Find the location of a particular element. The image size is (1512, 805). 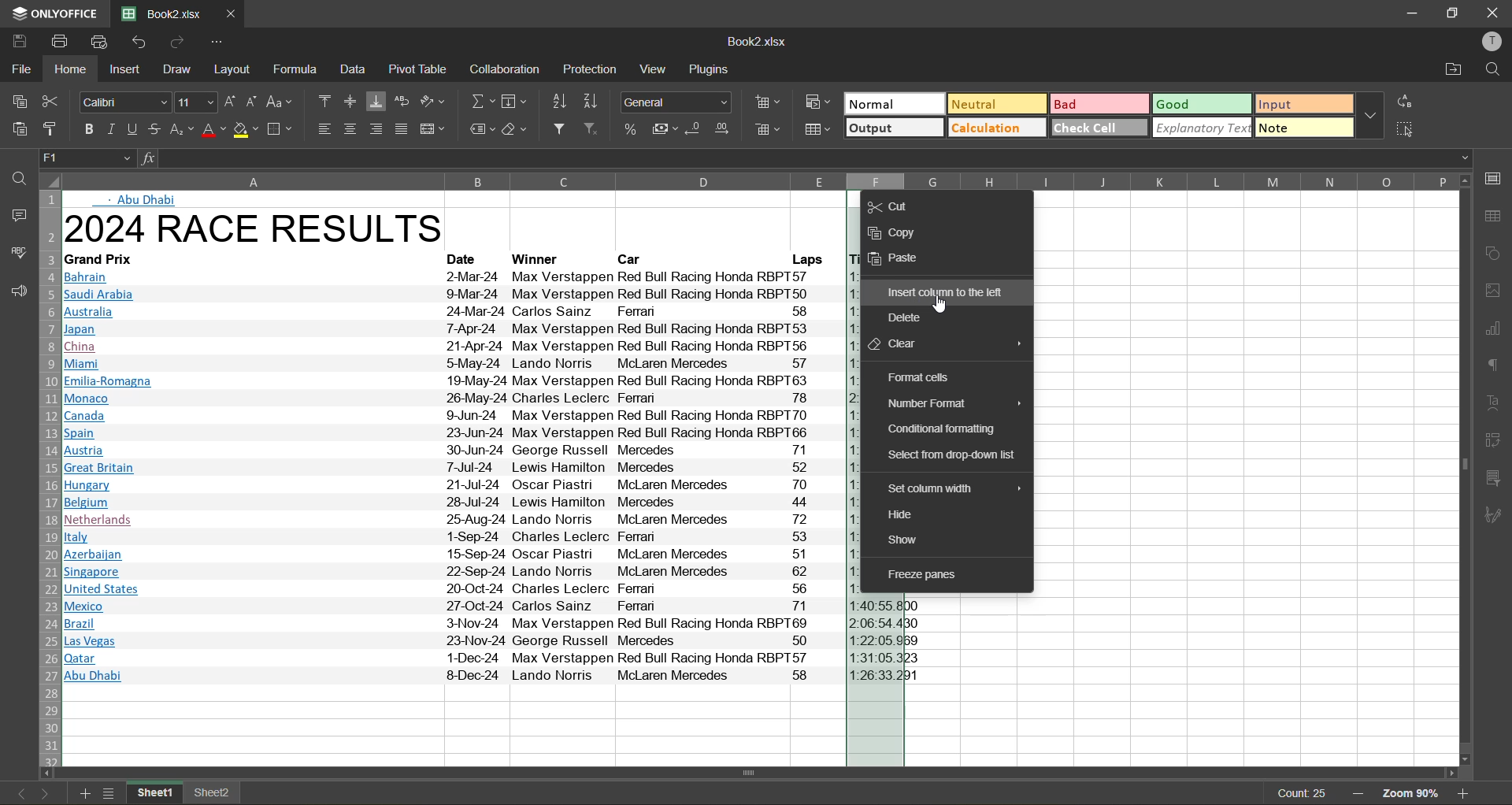

align left is located at coordinates (324, 129).